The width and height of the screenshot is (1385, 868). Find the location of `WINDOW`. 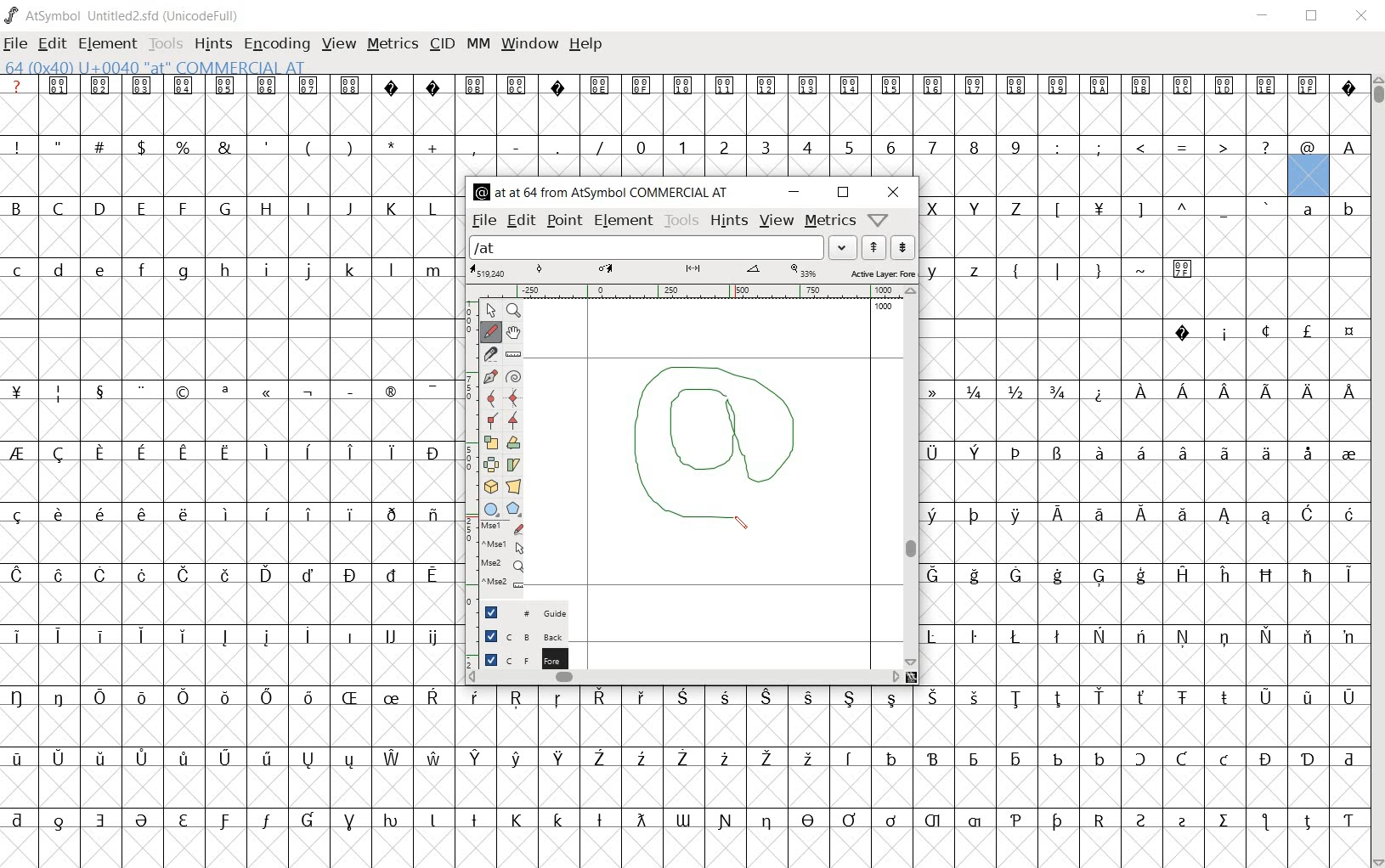

WINDOW is located at coordinates (532, 42).